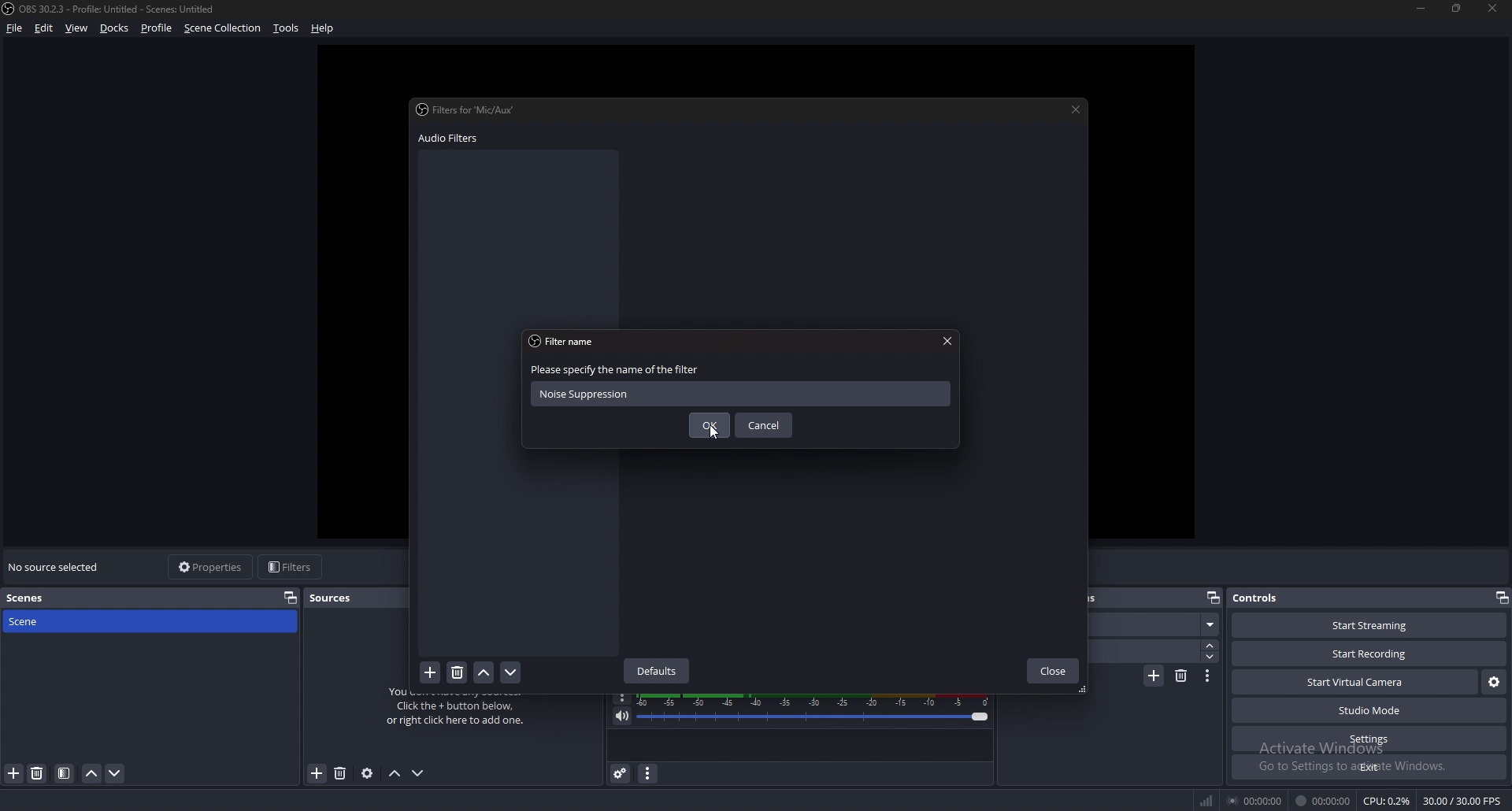  What do you see at coordinates (658, 672) in the screenshot?
I see `defaults` at bounding box center [658, 672].